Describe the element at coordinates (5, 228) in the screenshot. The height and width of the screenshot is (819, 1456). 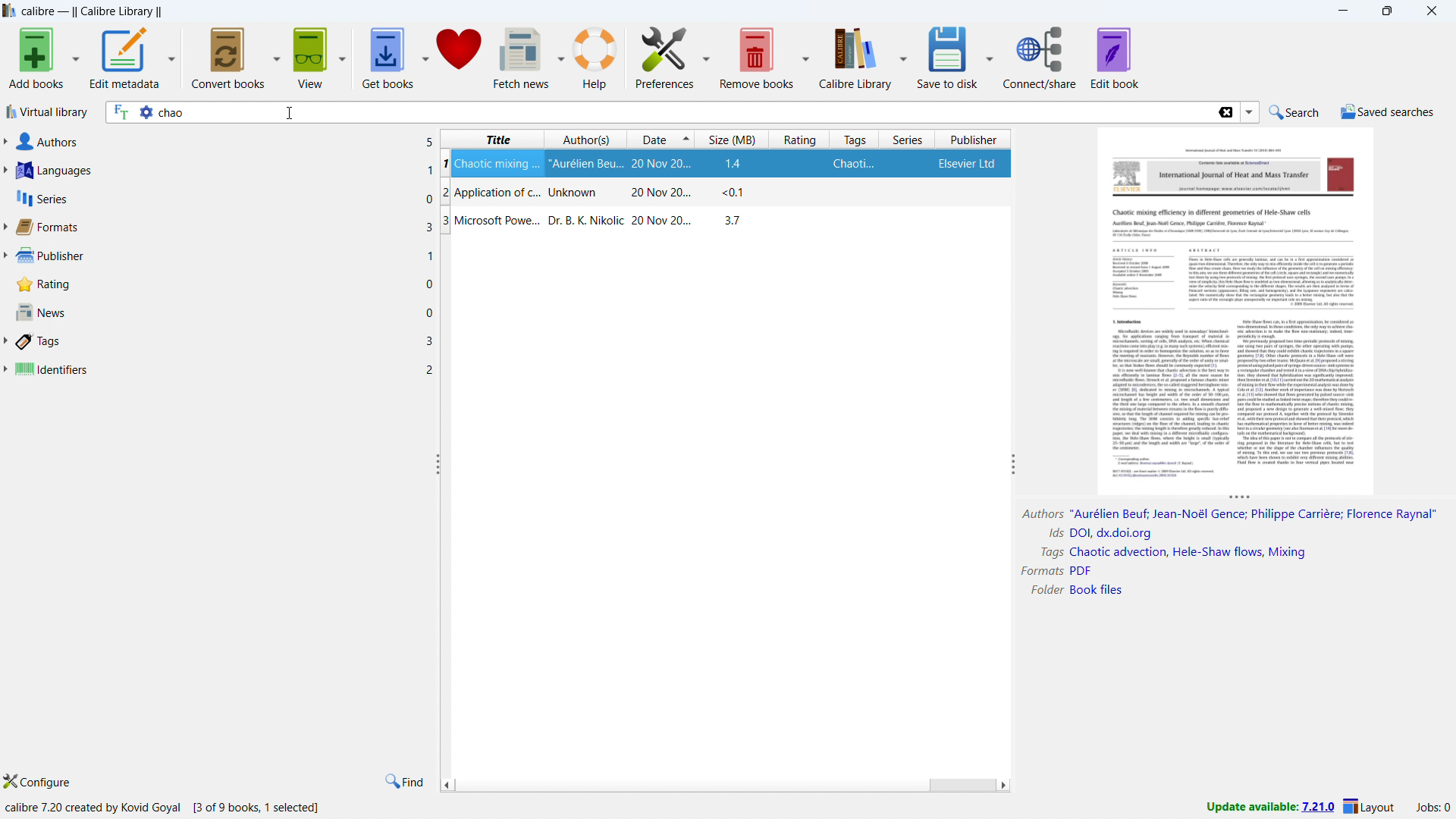
I see `expand format` at that location.